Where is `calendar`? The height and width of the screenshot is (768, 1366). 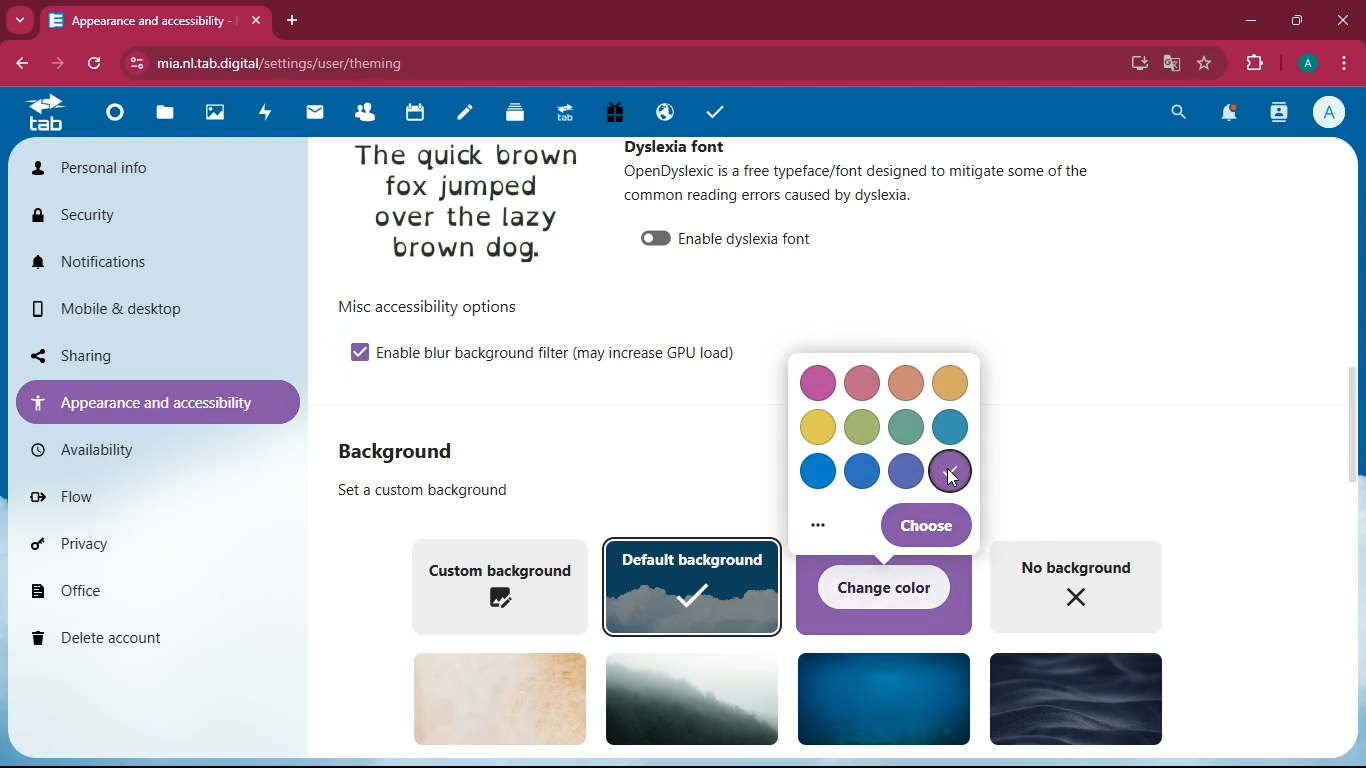 calendar is located at coordinates (412, 113).